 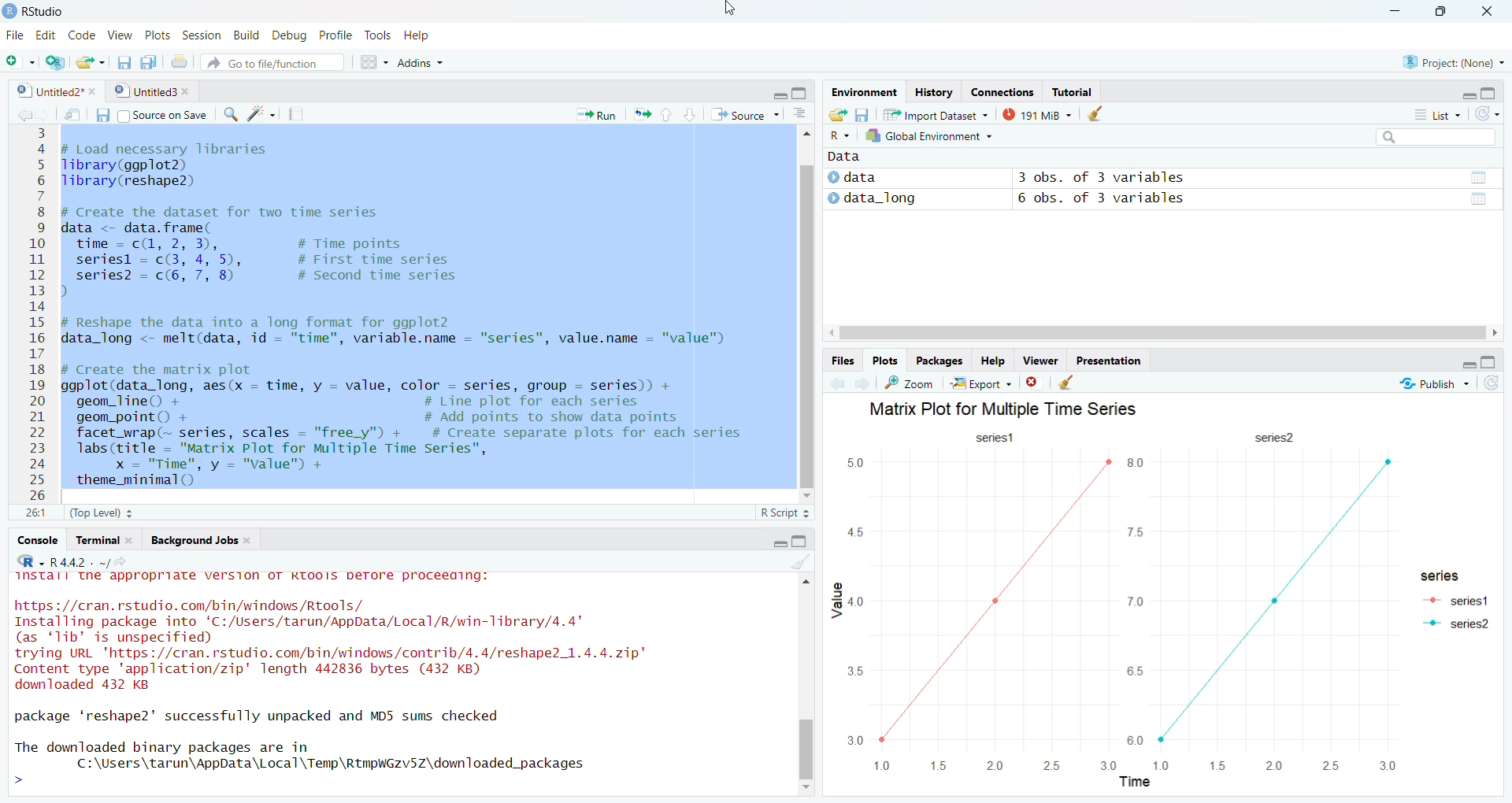 I want to click on Import Dataset , so click(x=936, y=113).